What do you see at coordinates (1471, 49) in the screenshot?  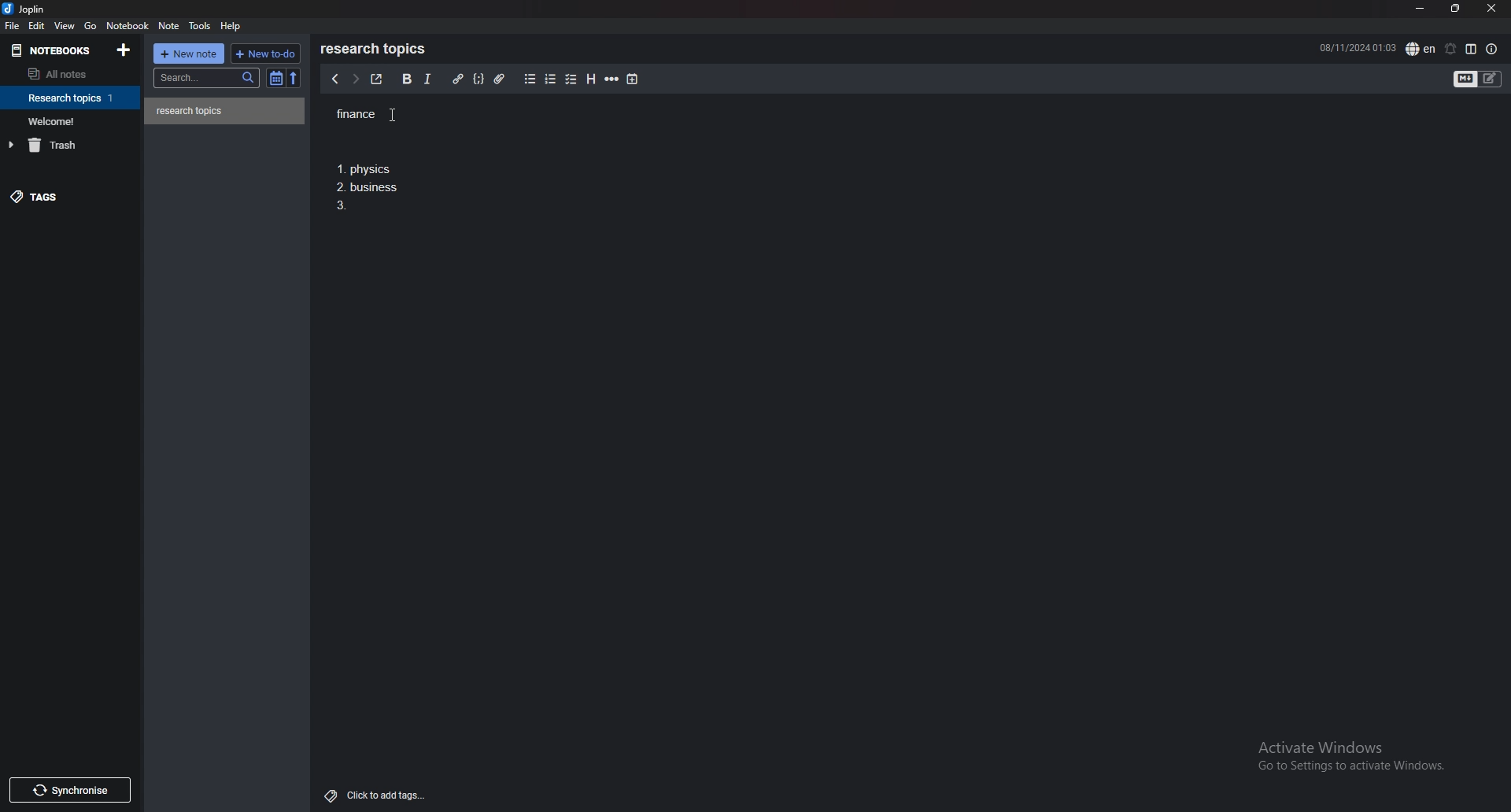 I see `toggle editor layout` at bounding box center [1471, 49].